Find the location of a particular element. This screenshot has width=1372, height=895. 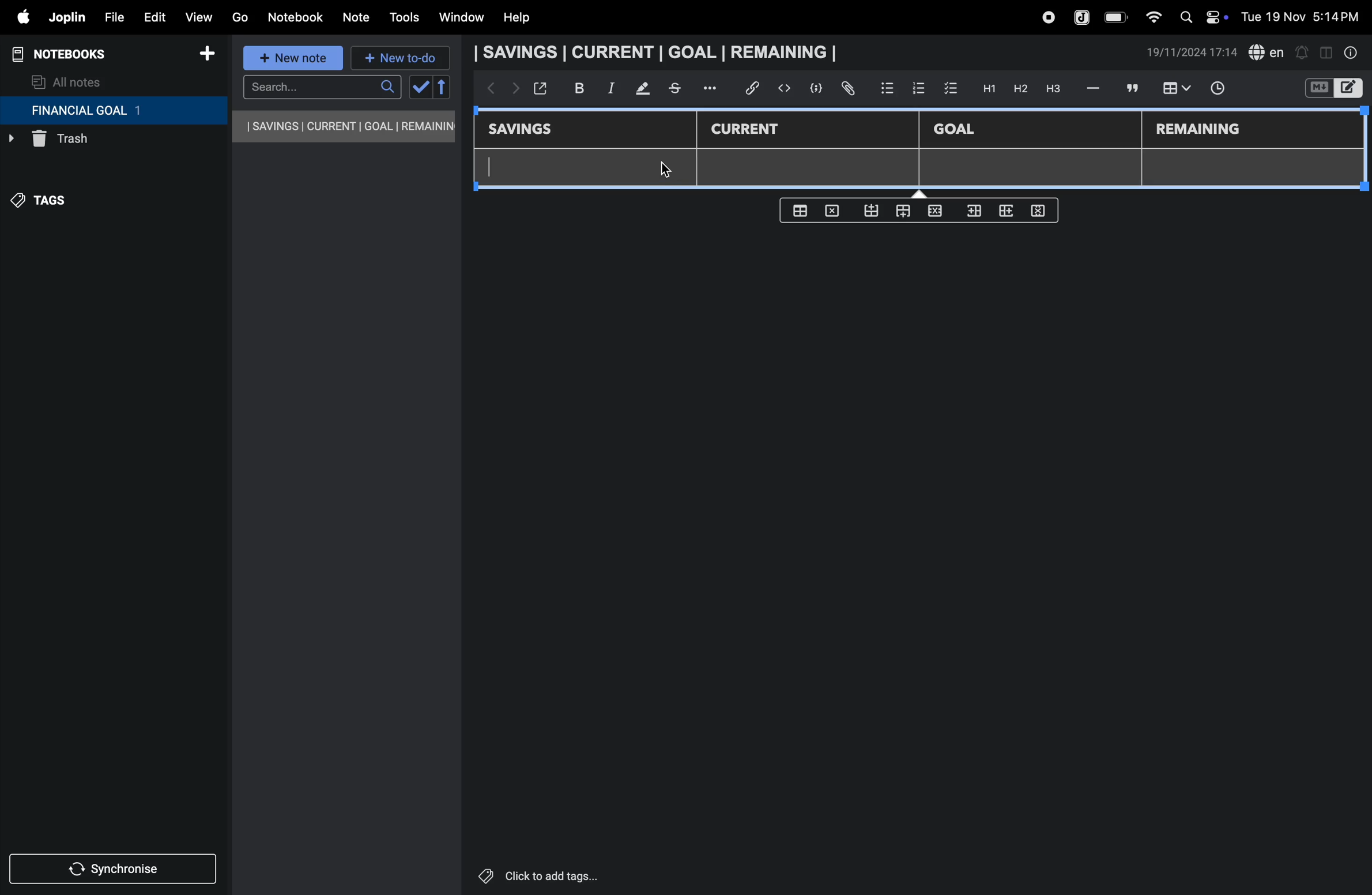

financial goal is located at coordinates (113, 111).